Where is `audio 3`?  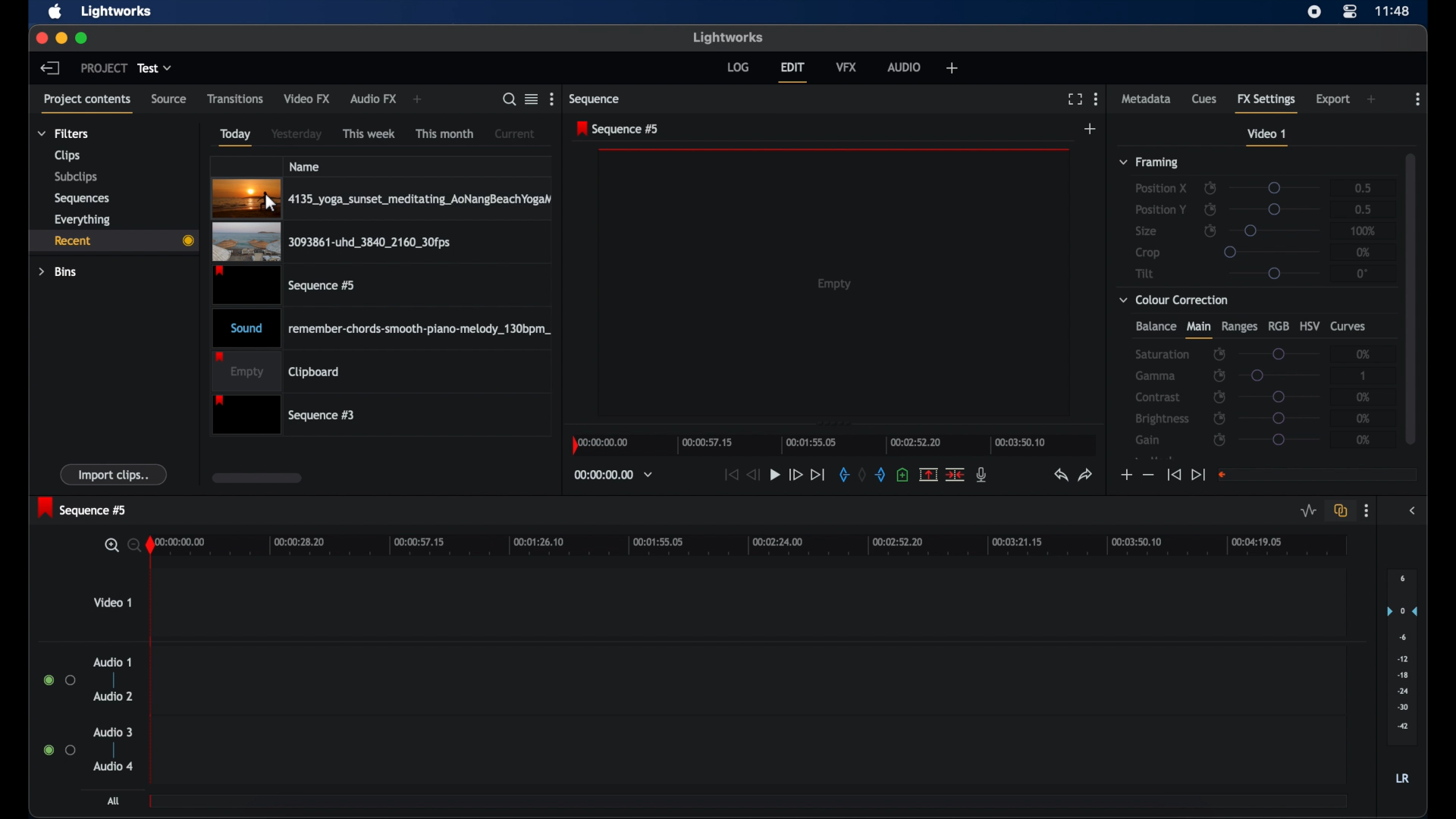 audio 3 is located at coordinates (112, 732).